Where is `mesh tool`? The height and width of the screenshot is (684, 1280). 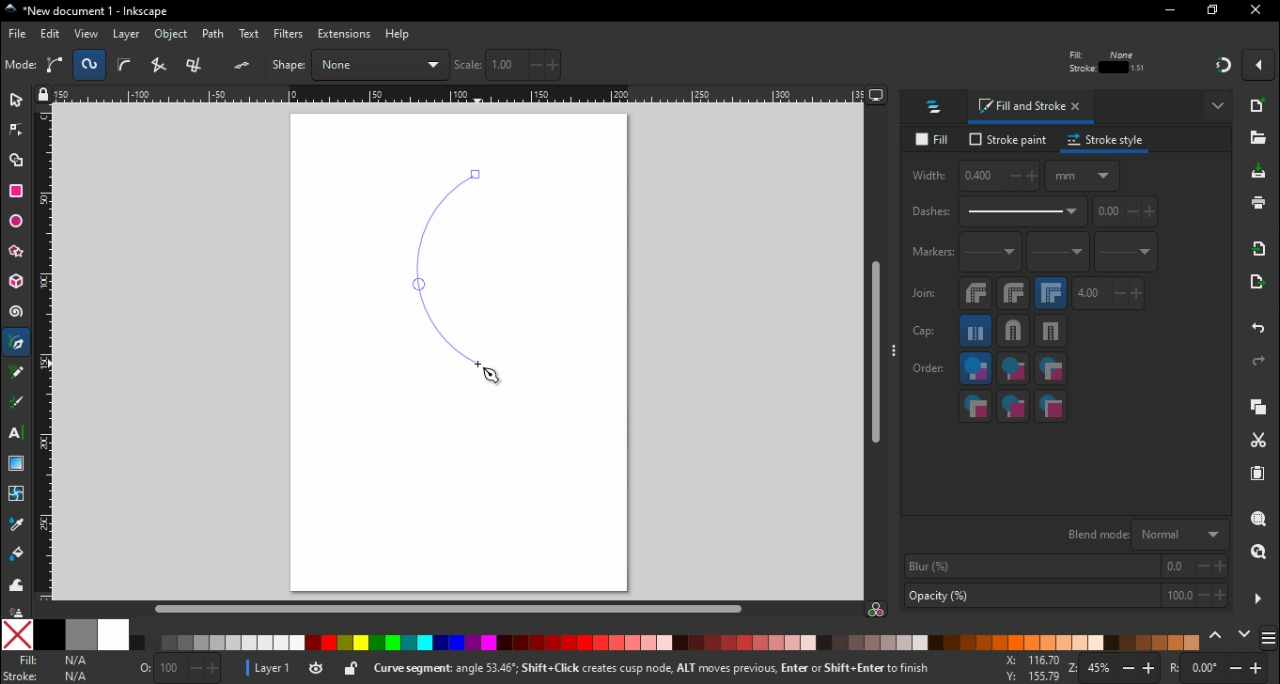
mesh tool is located at coordinates (14, 495).